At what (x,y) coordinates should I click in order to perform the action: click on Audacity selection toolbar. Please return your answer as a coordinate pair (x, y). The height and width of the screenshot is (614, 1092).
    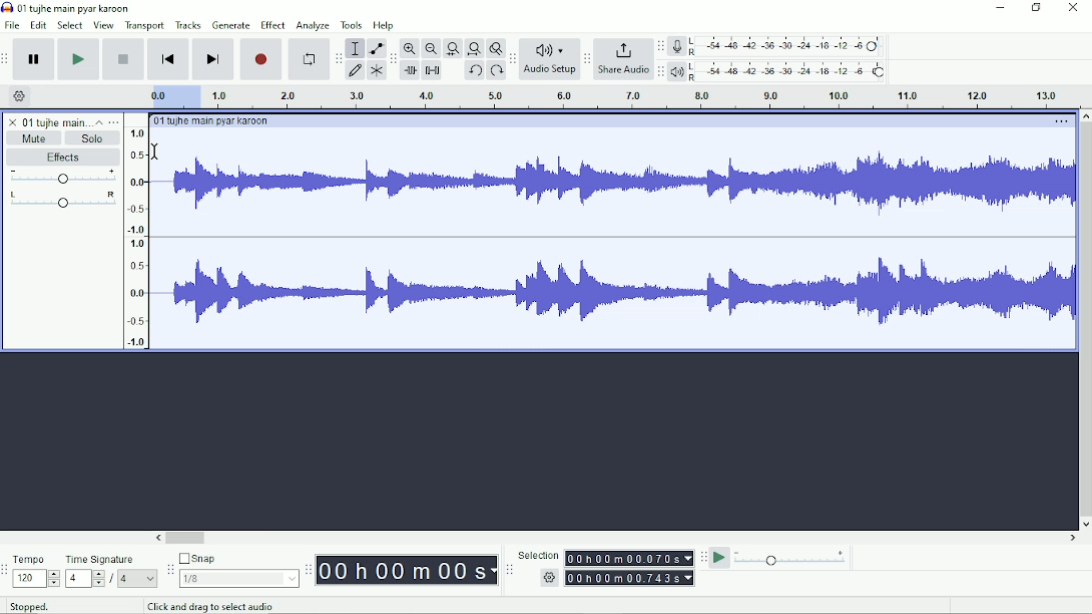
    Looking at the image, I should click on (507, 570).